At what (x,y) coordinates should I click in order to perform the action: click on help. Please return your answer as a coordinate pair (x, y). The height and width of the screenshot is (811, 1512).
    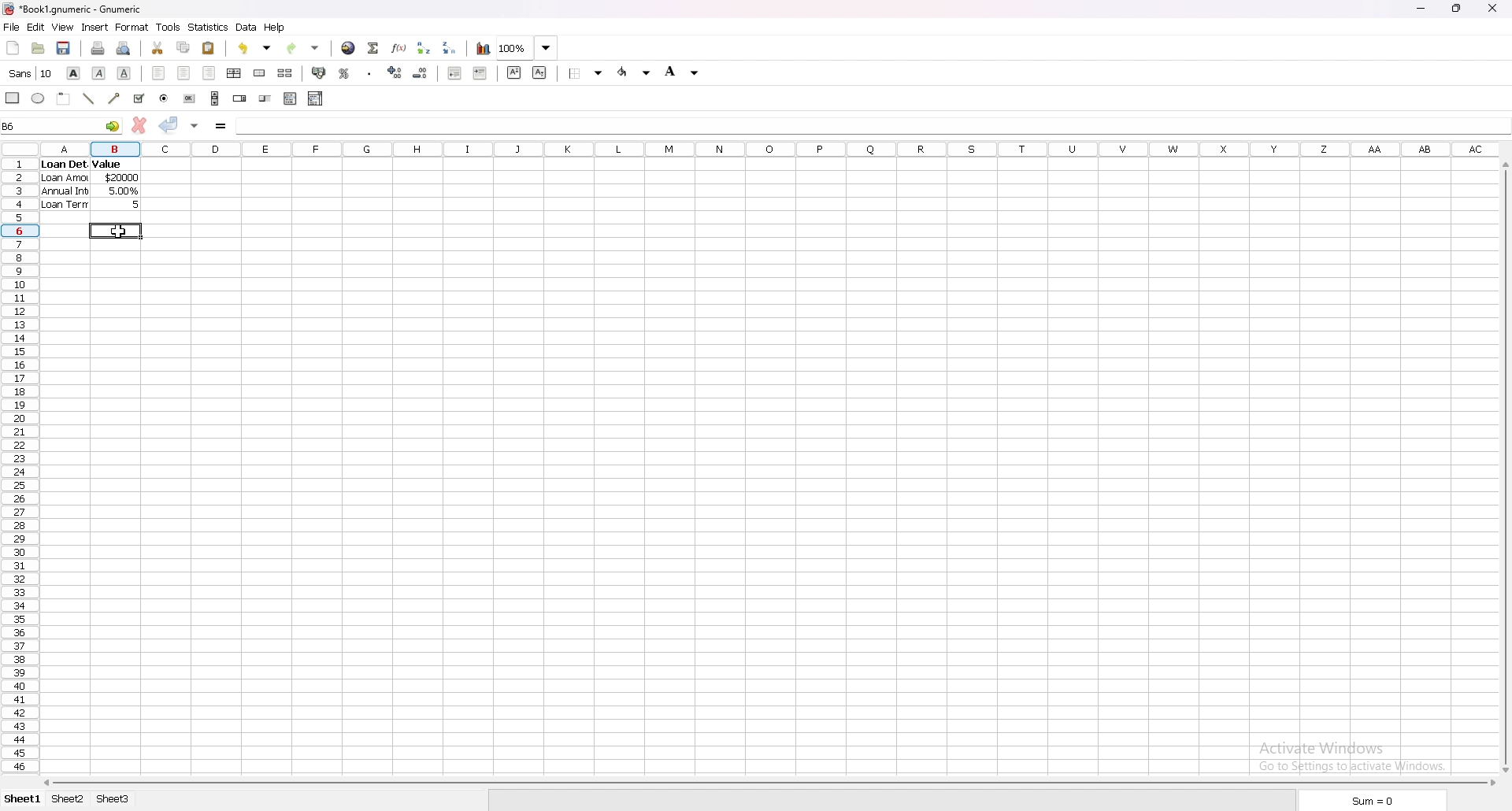
    Looking at the image, I should click on (275, 28).